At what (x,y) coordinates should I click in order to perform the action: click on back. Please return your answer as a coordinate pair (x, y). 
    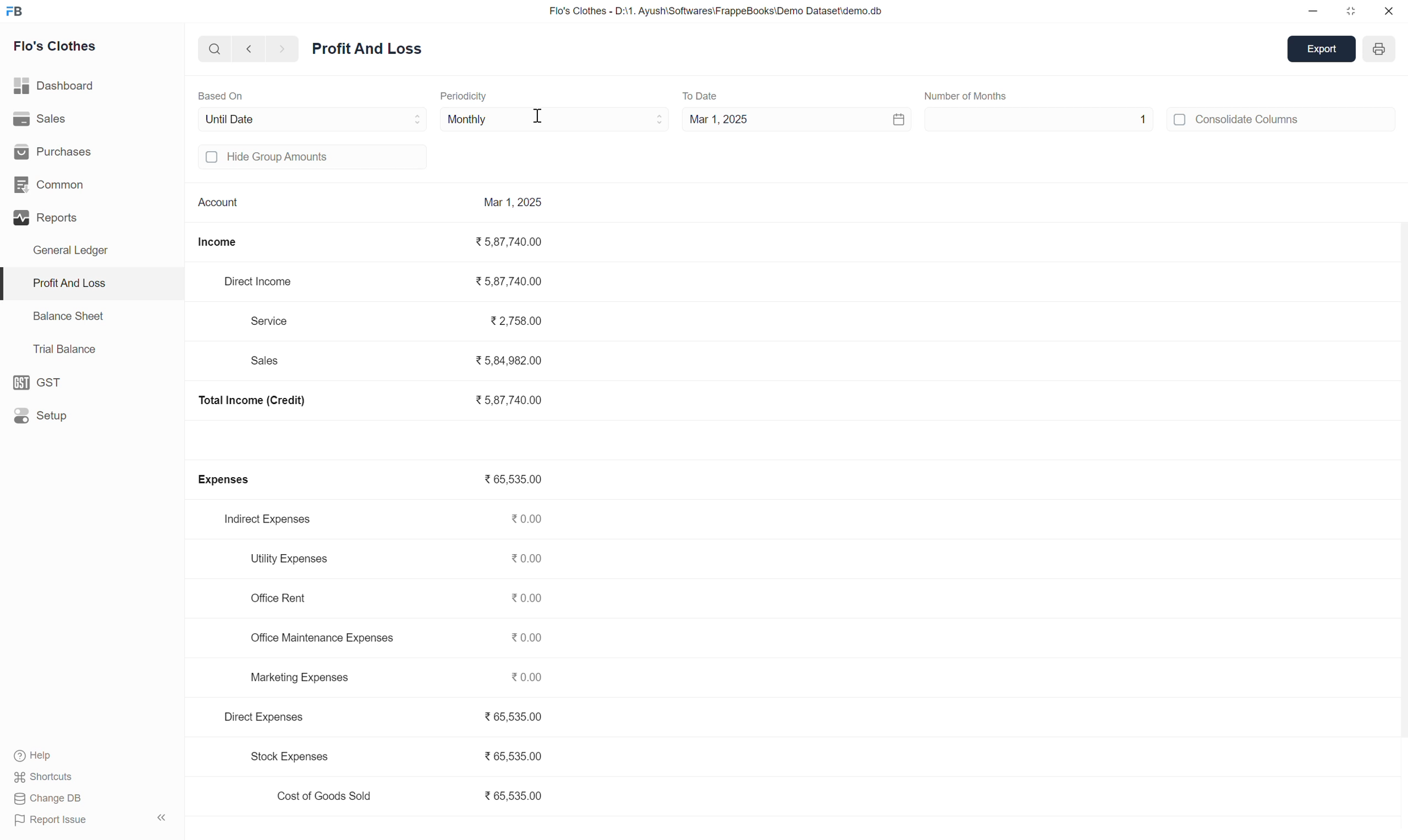
    Looking at the image, I should click on (248, 50).